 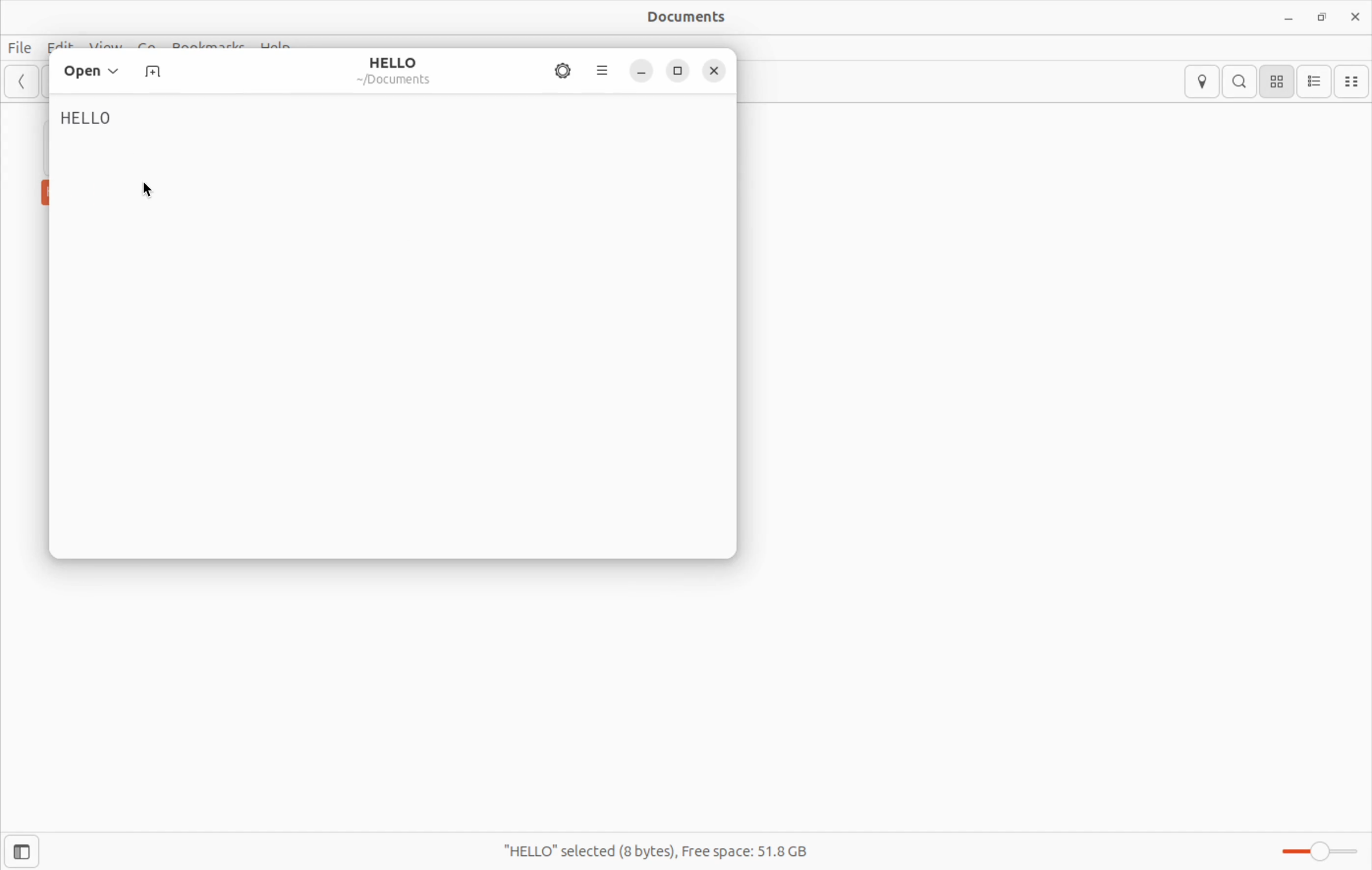 I want to click on HELLO, so click(x=393, y=59).